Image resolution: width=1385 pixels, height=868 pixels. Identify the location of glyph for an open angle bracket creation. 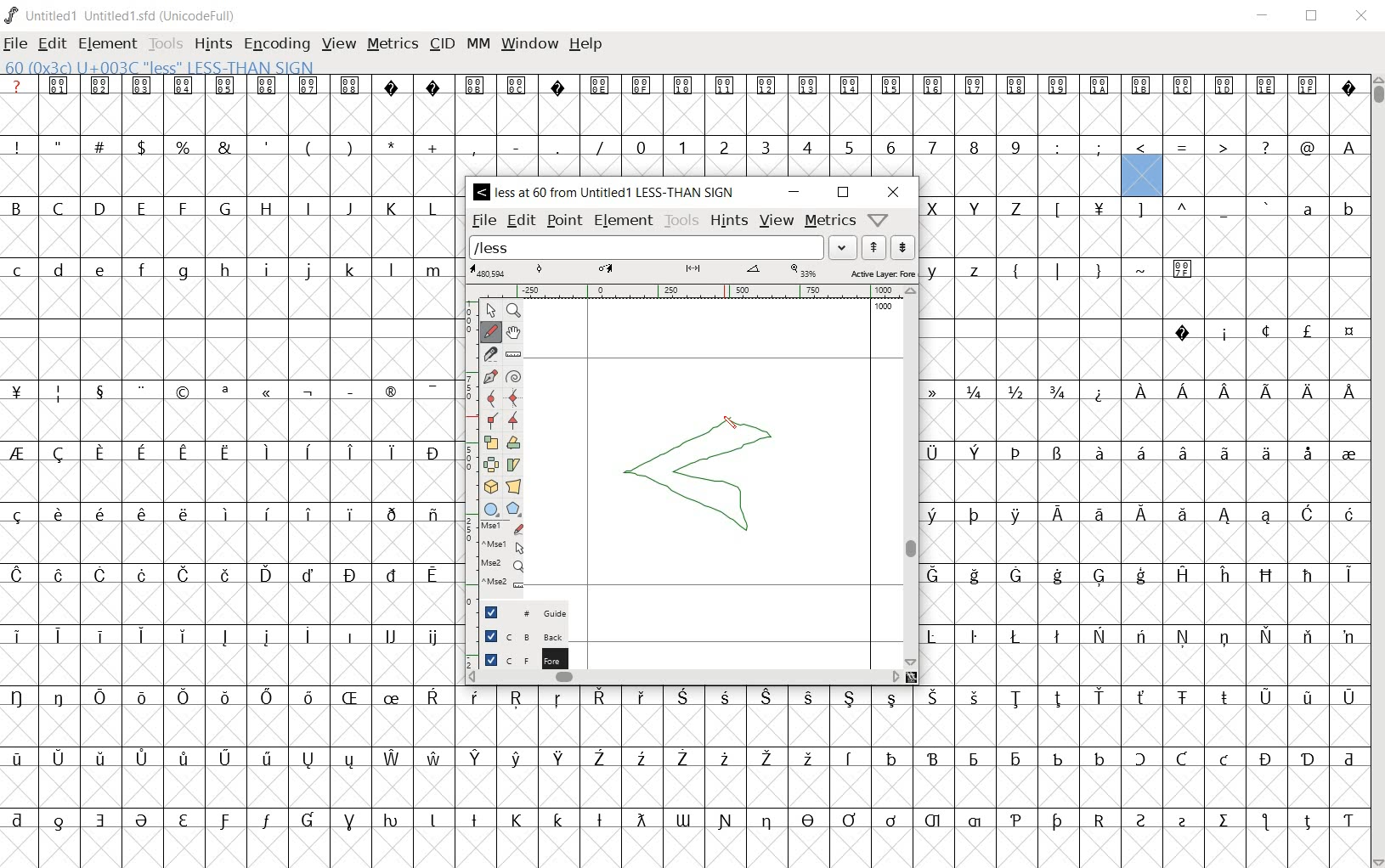
(709, 471).